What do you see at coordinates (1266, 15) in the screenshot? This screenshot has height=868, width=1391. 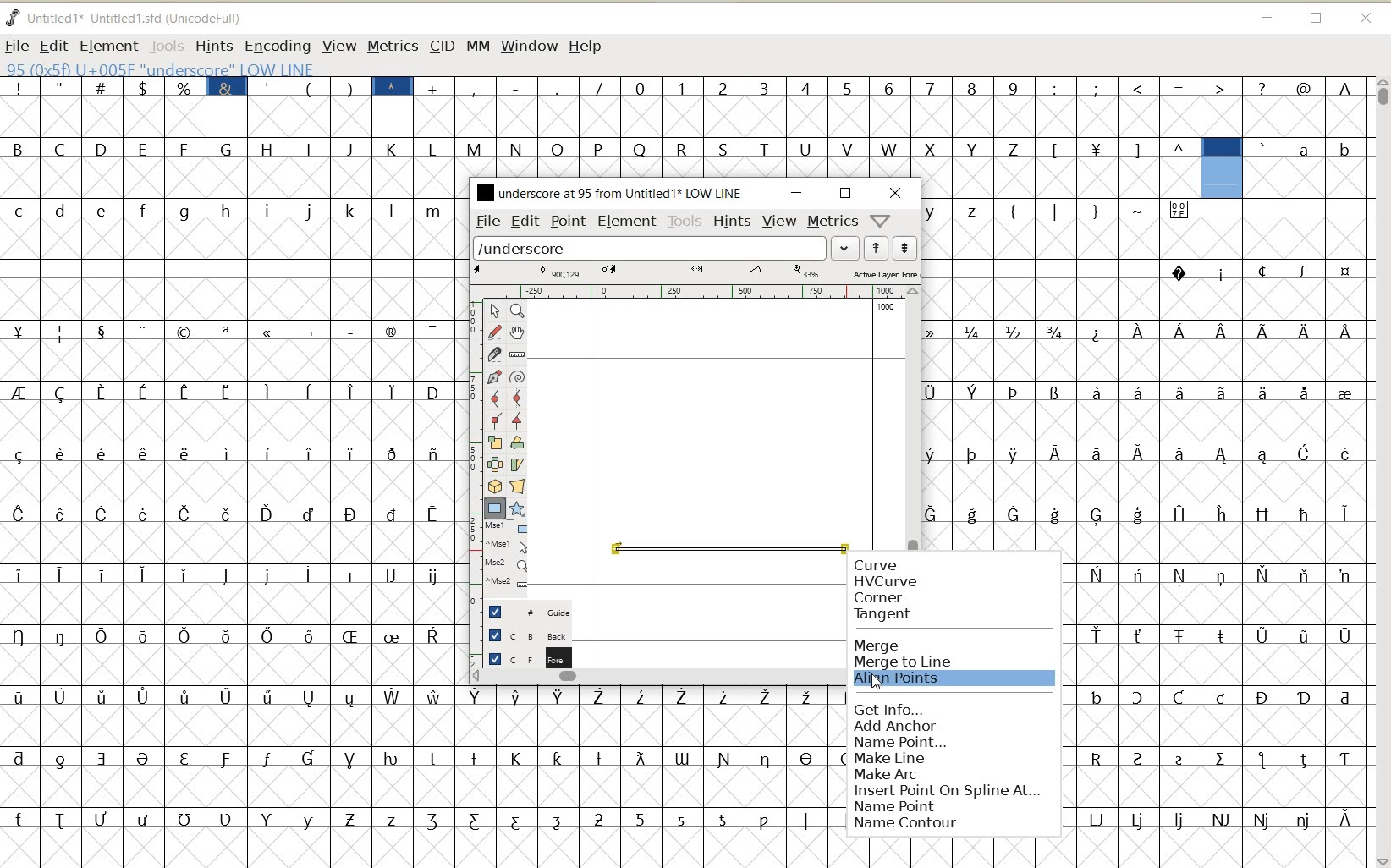 I see `MINIMIZE` at bounding box center [1266, 15].